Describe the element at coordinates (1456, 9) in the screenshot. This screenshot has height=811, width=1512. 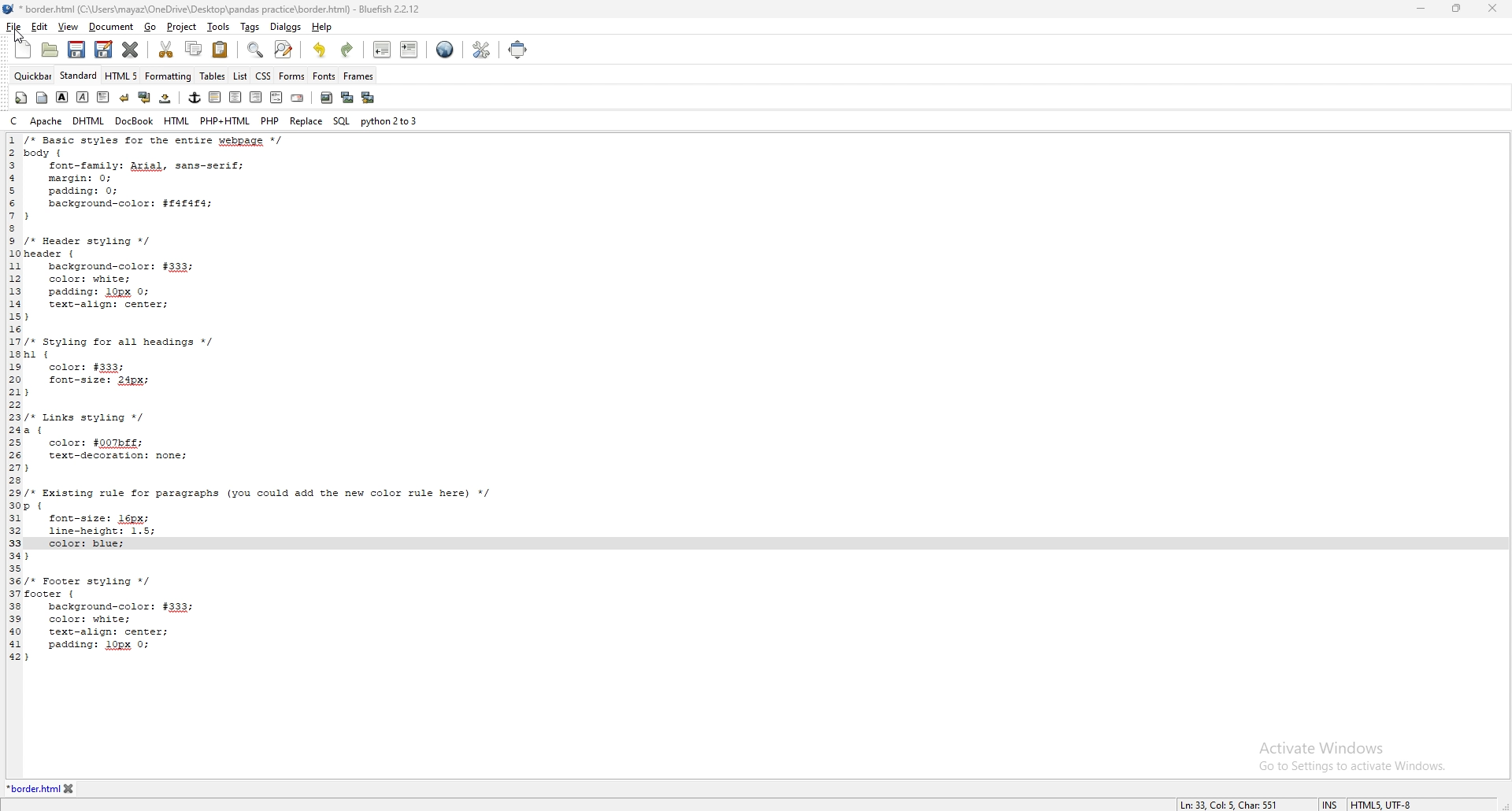
I see `resize` at that location.